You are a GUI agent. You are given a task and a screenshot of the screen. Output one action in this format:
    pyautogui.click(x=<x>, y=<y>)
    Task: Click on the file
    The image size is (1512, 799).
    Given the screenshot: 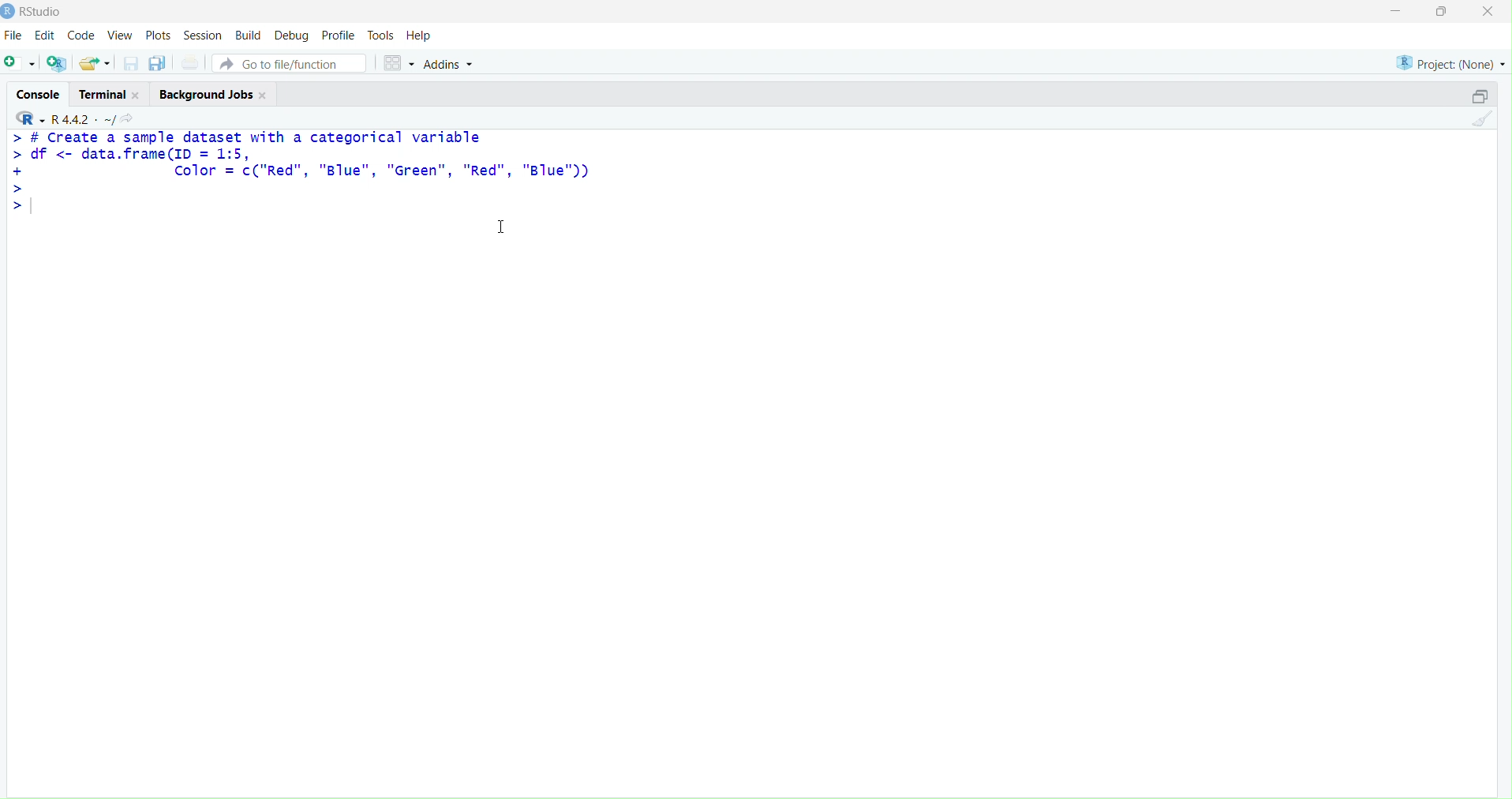 What is the action you would take?
    pyautogui.click(x=13, y=35)
    